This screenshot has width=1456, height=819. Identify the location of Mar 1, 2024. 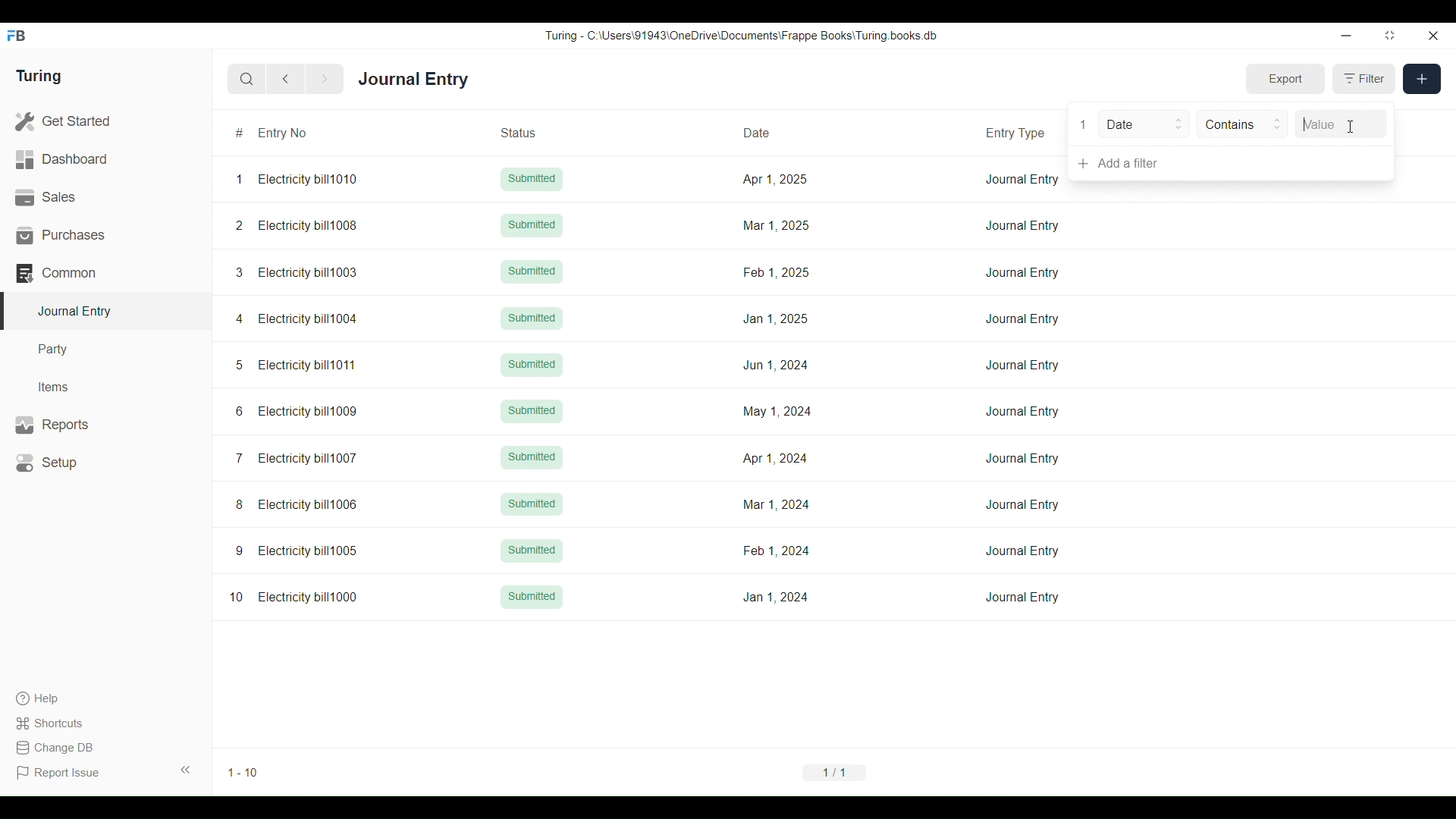
(777, 504).